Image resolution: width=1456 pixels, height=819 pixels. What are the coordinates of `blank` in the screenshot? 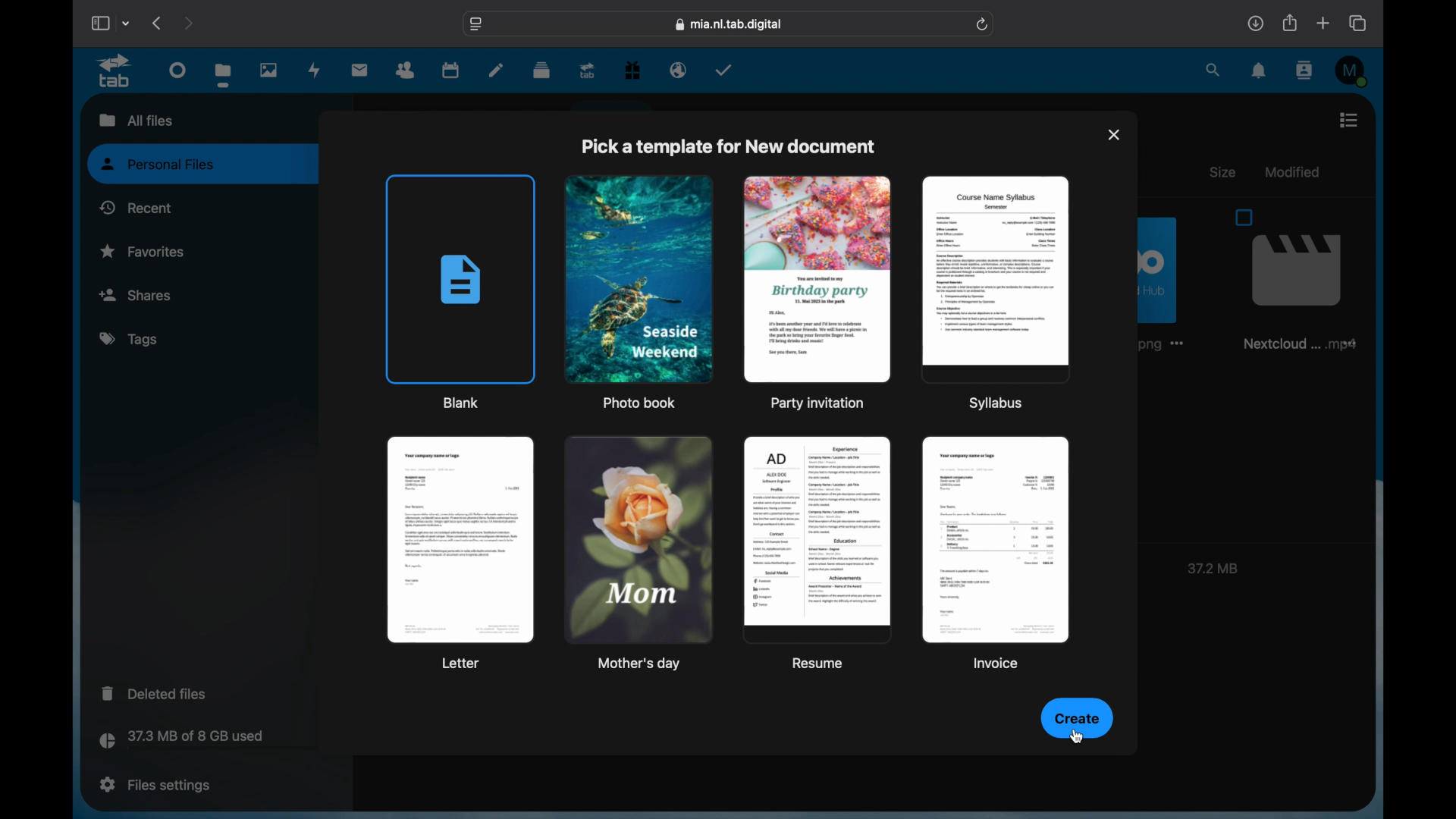 It's located at (461, 291).